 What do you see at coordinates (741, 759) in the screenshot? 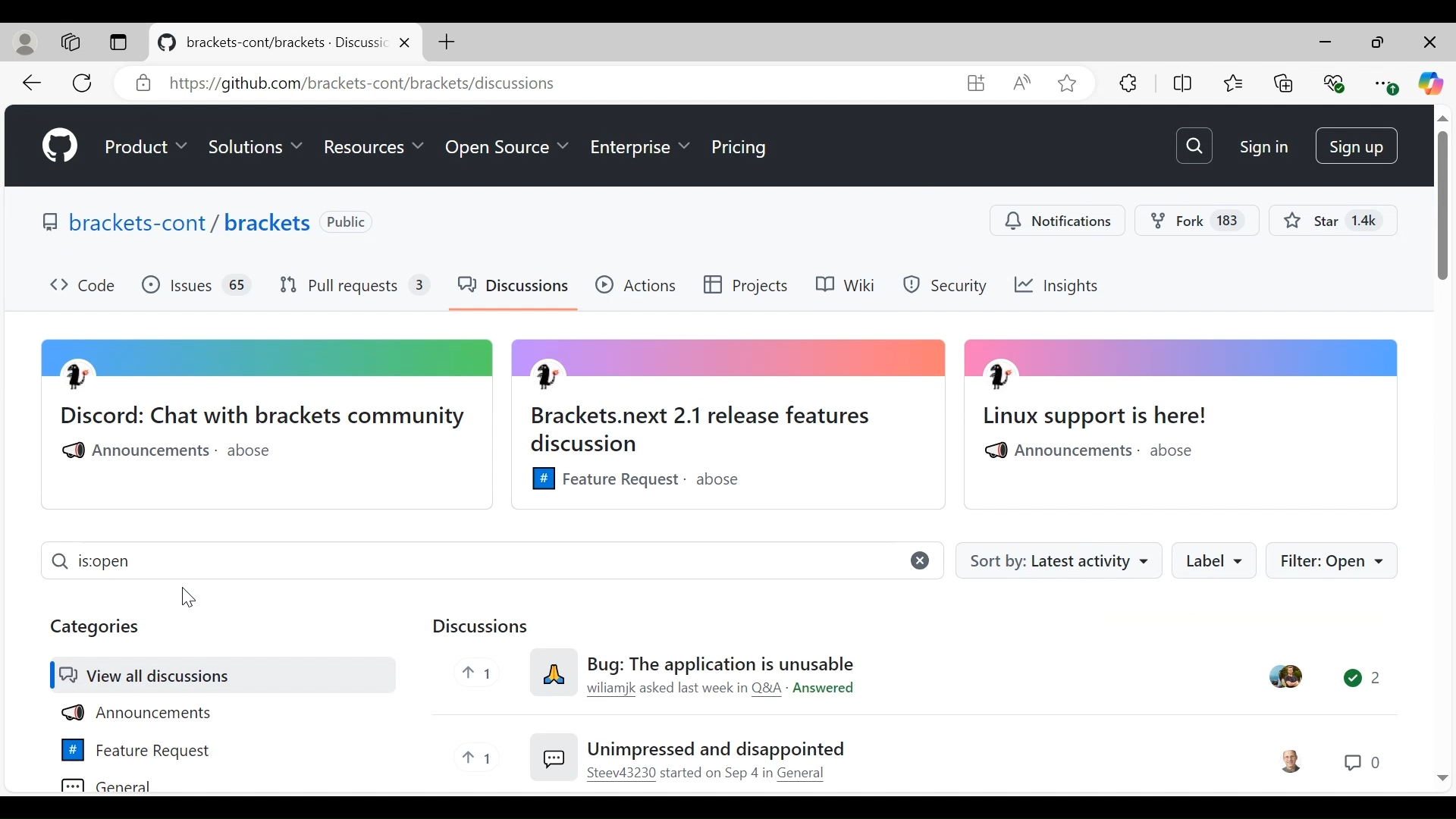
I see `Unimpressed and disappointed Steev43230 started on Sep 4 in General ` at bounding box center [741, 759].